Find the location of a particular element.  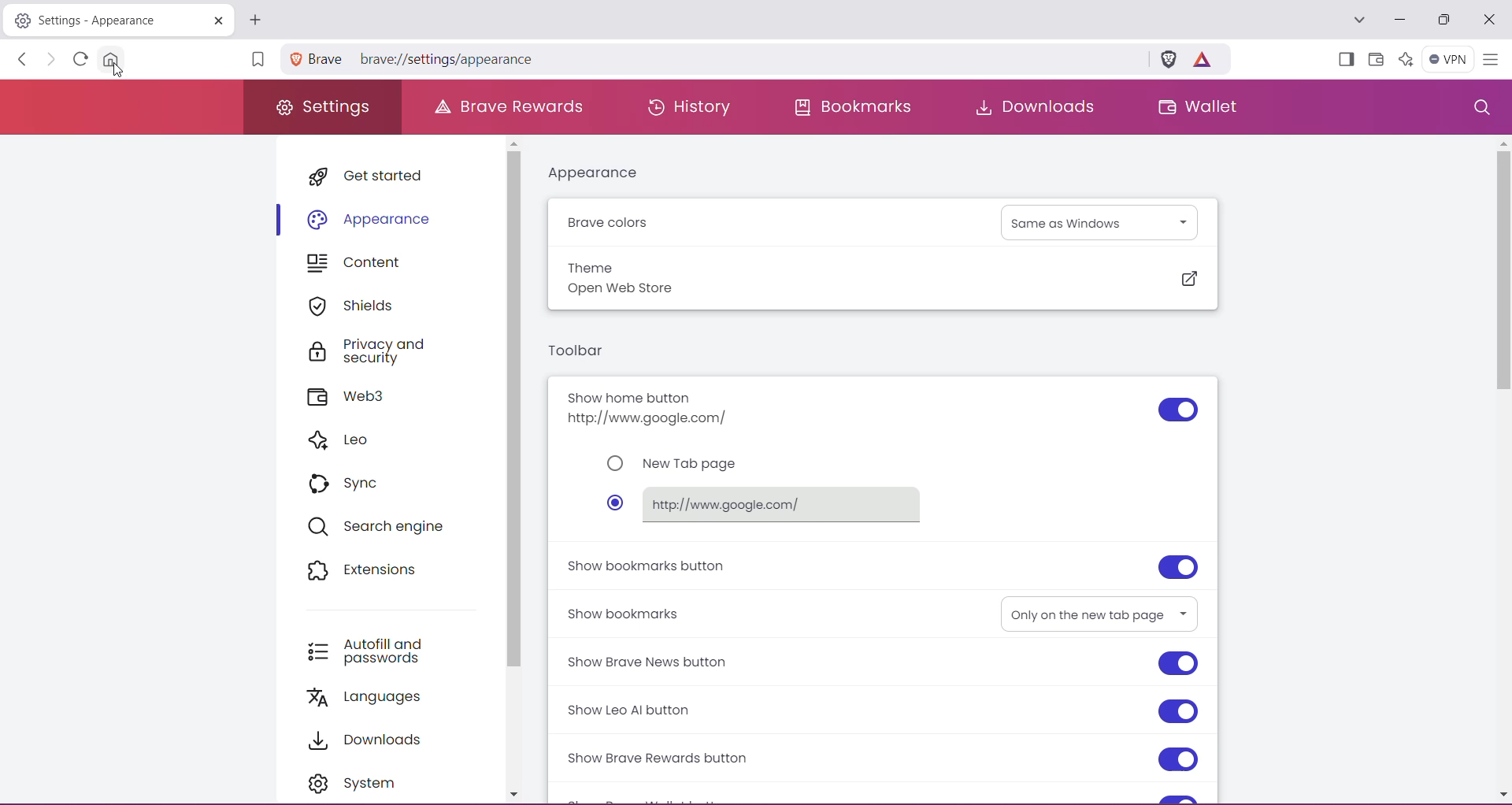

Shields is located at coordinates (357, 306).